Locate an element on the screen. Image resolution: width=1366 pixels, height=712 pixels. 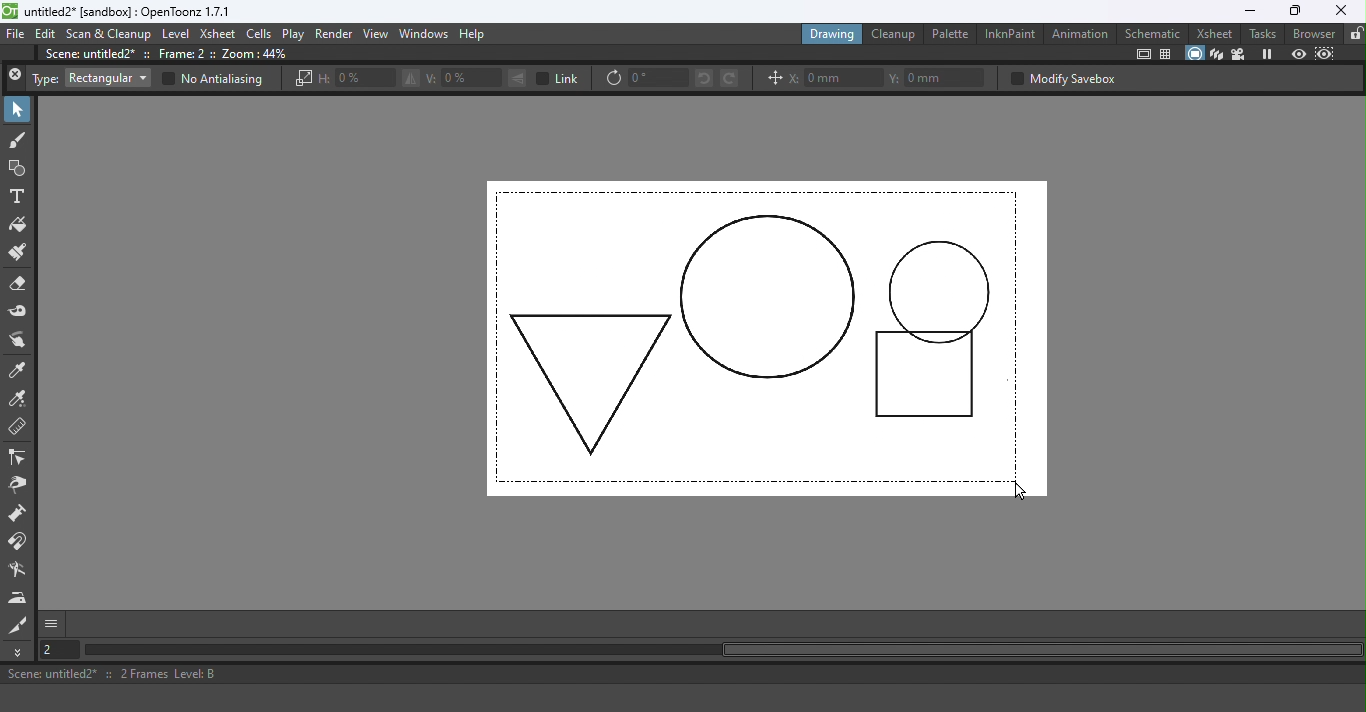
No Antialiasing is located at coordinates (211, 79).